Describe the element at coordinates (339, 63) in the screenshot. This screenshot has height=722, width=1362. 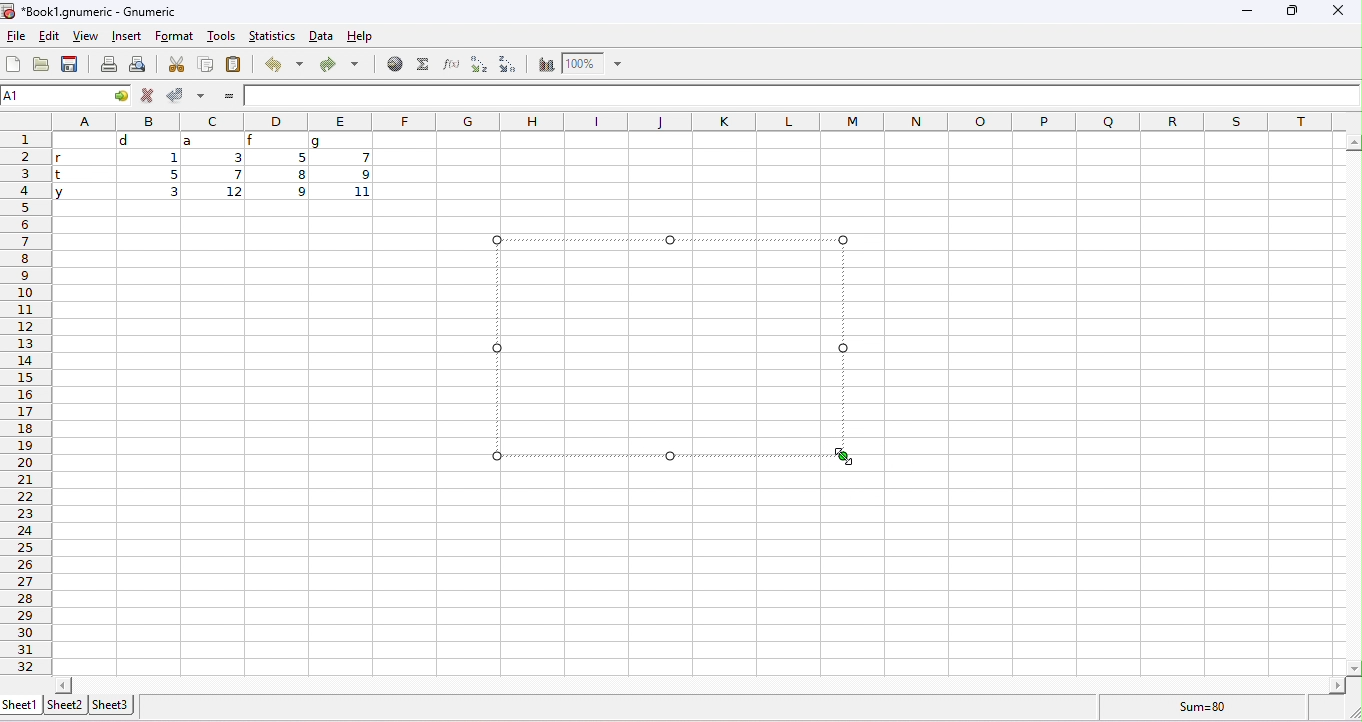
I see `redo` at that location.